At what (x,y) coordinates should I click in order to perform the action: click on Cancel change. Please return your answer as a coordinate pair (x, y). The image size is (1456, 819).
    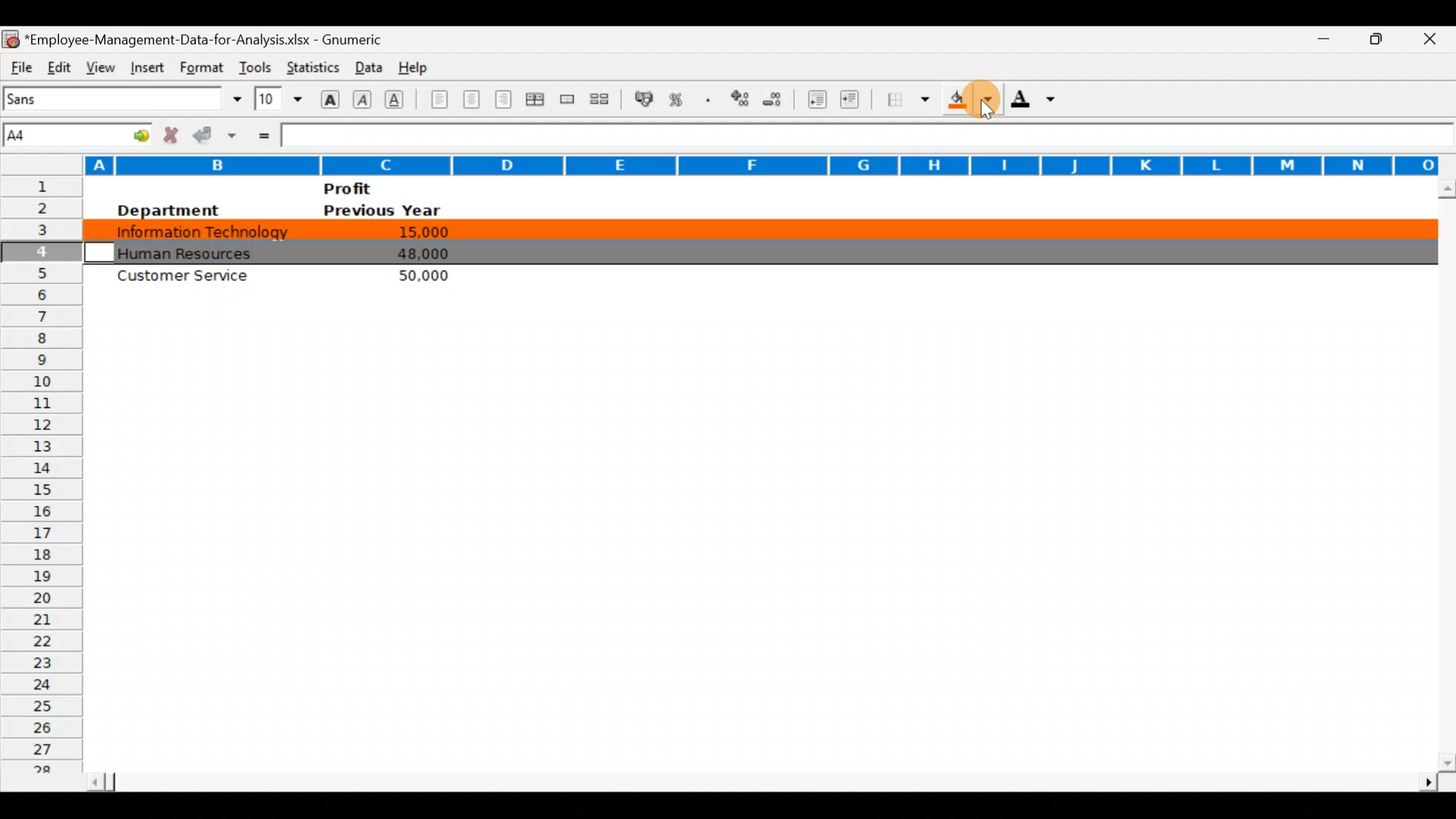
    Looking at the image, I should click on (174, 134).